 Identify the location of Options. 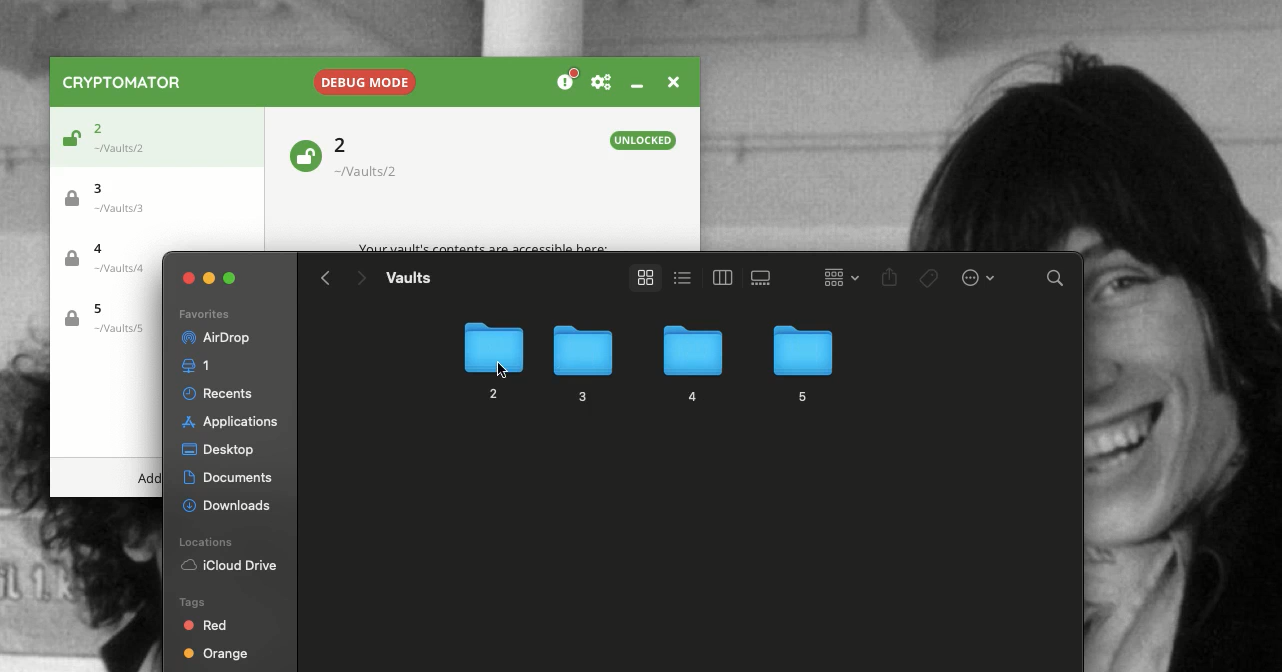
(976, 276).